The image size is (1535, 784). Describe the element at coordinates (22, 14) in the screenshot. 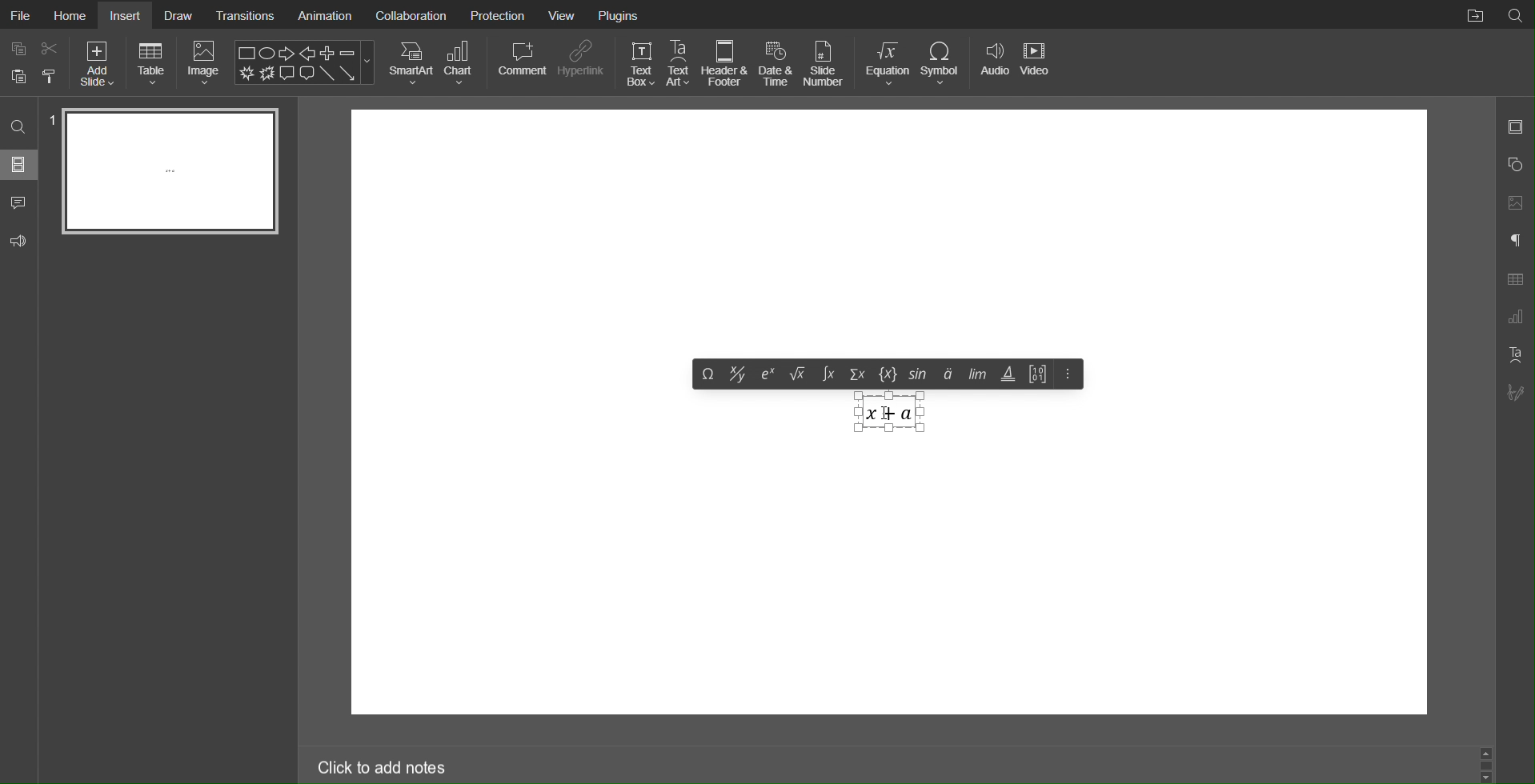

I see `File` at that location.